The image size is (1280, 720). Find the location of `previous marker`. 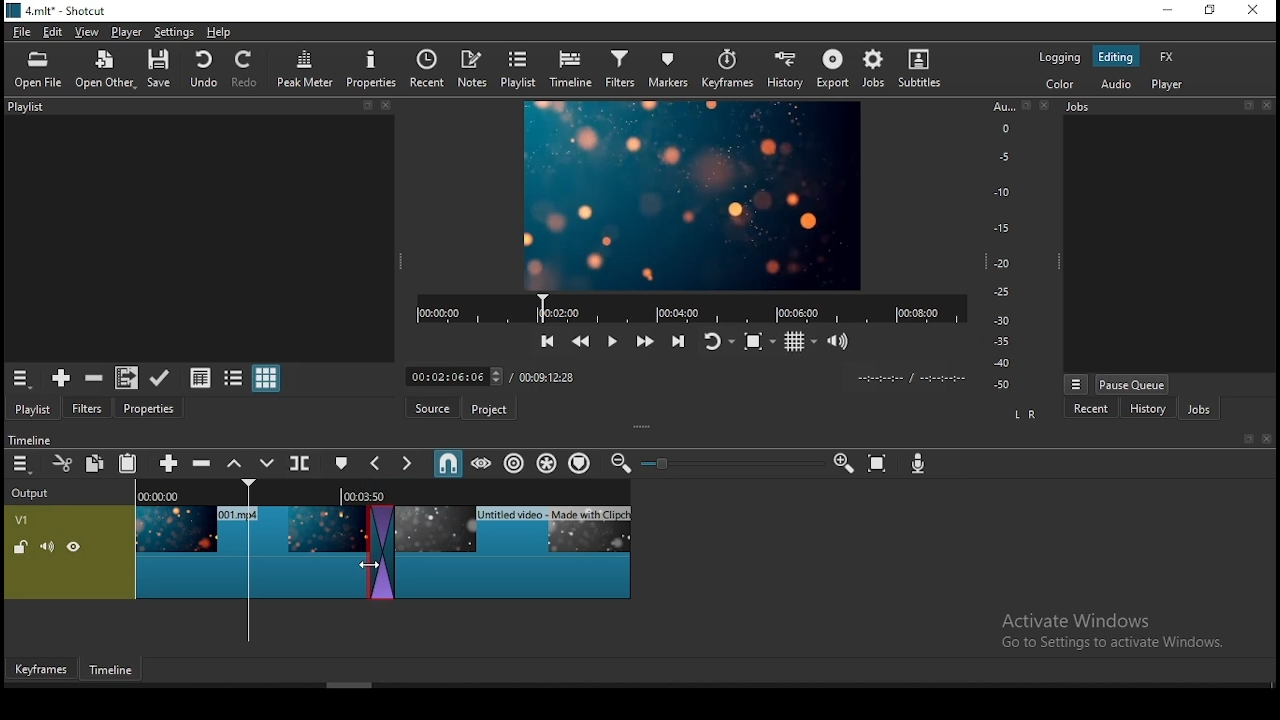

previous marker is located at coordinates (375, 464).